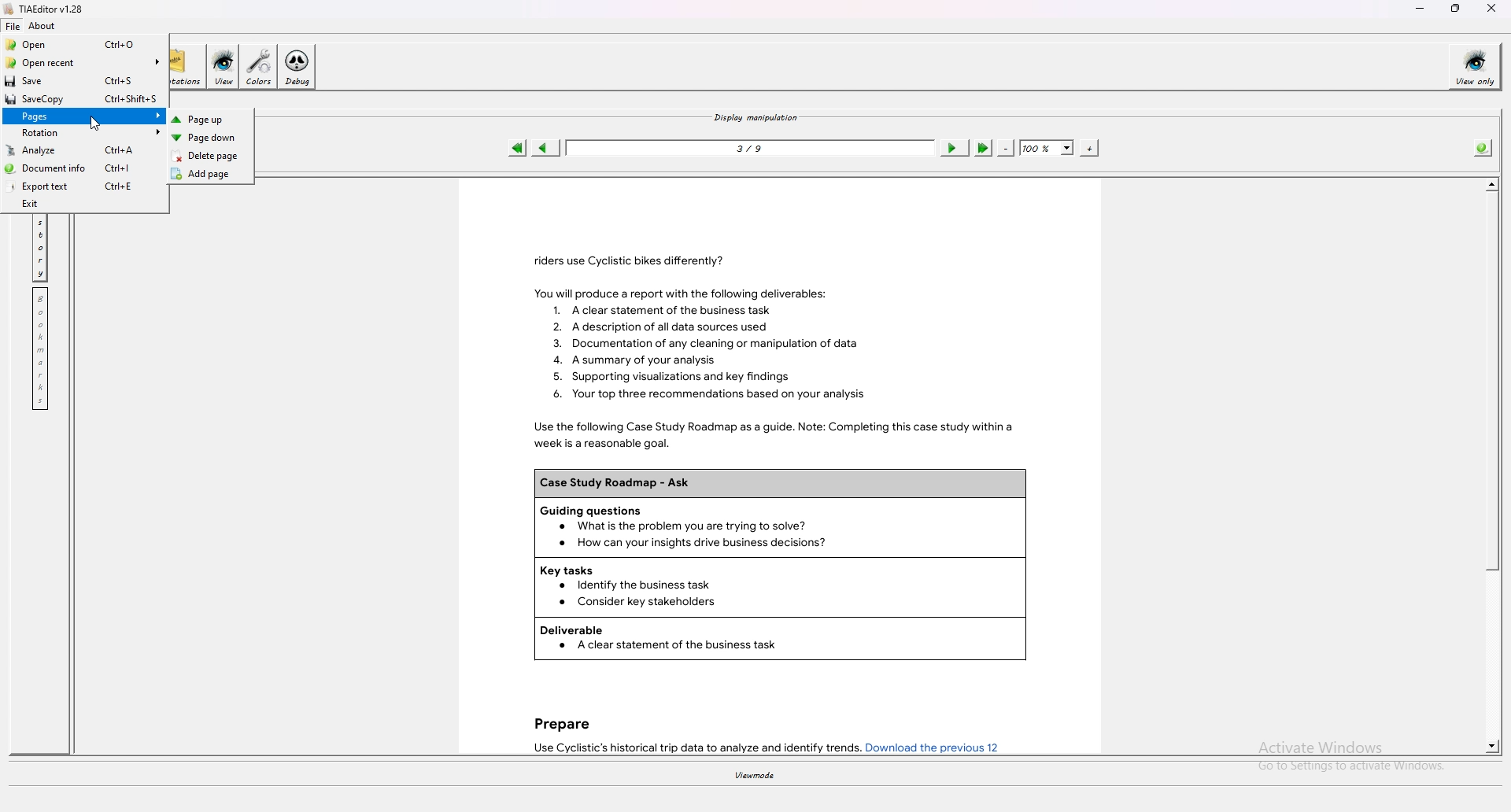  I want to click on zoom in, so click(1089, 148).